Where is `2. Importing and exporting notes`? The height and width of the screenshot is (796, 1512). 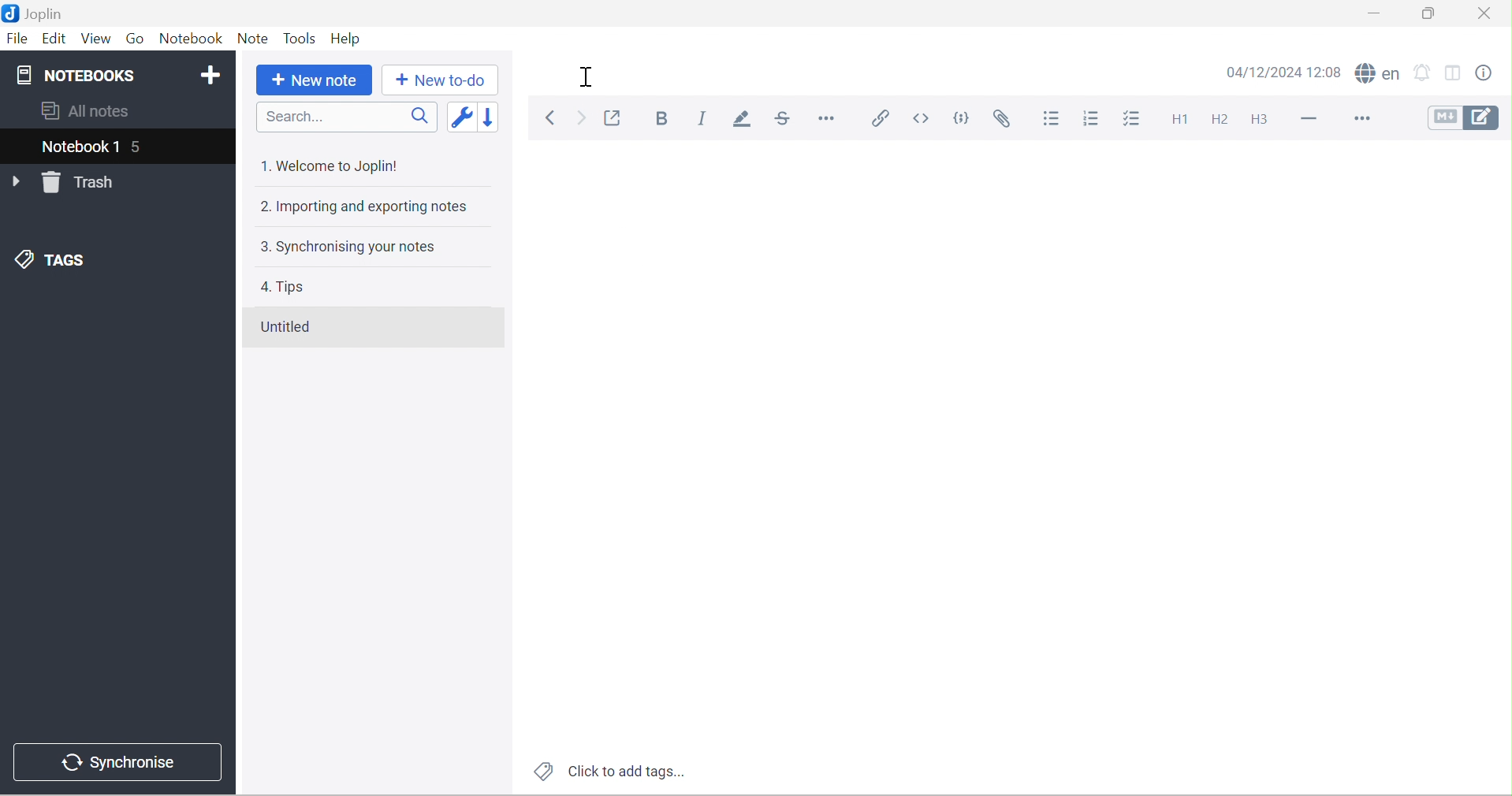 2. Importing and exporting notes is located at coordinates (367, 205).